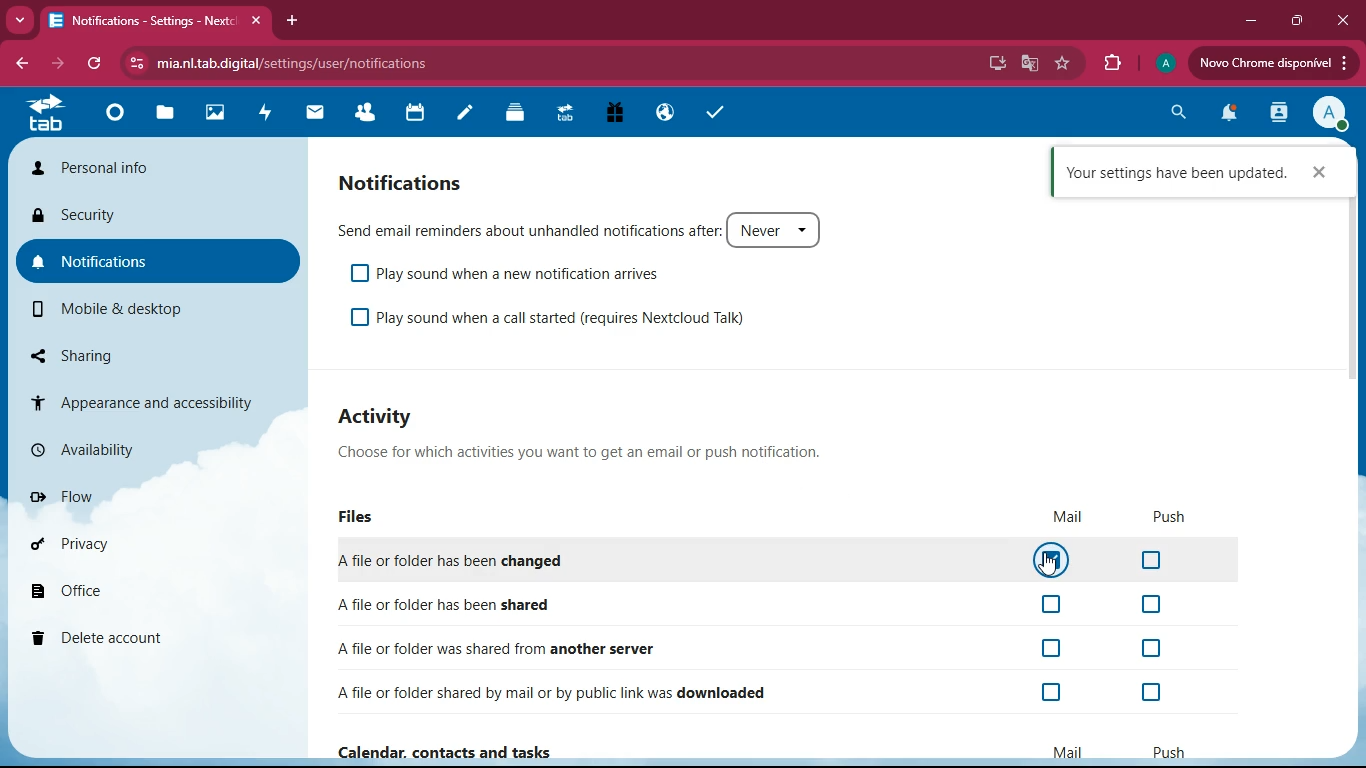  What do you see at coordinates (498, 560) in the screenshot?
I see `changed` at bounding box center [498, 560].